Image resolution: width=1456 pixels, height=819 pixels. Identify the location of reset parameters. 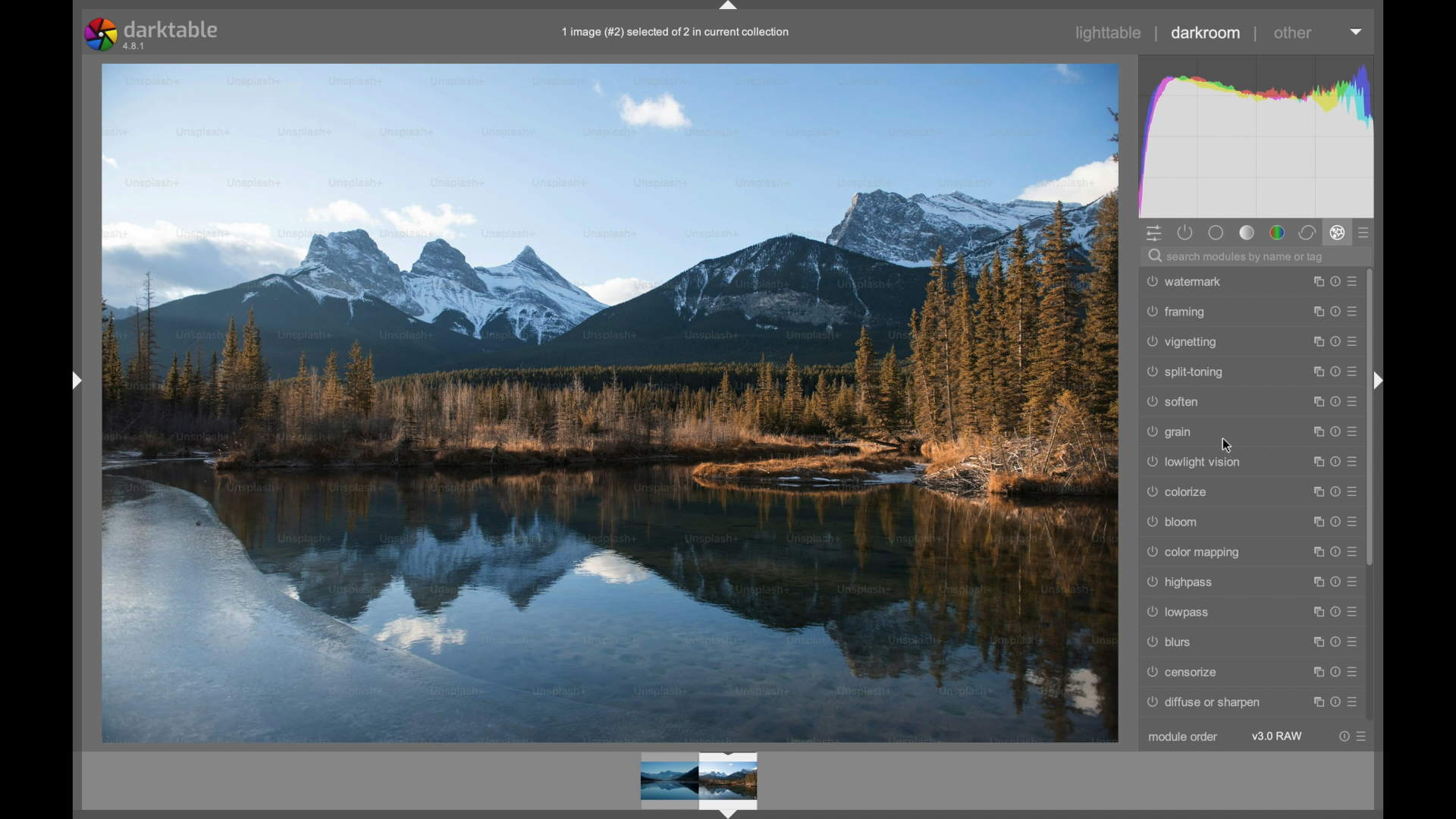
(1335, 491).